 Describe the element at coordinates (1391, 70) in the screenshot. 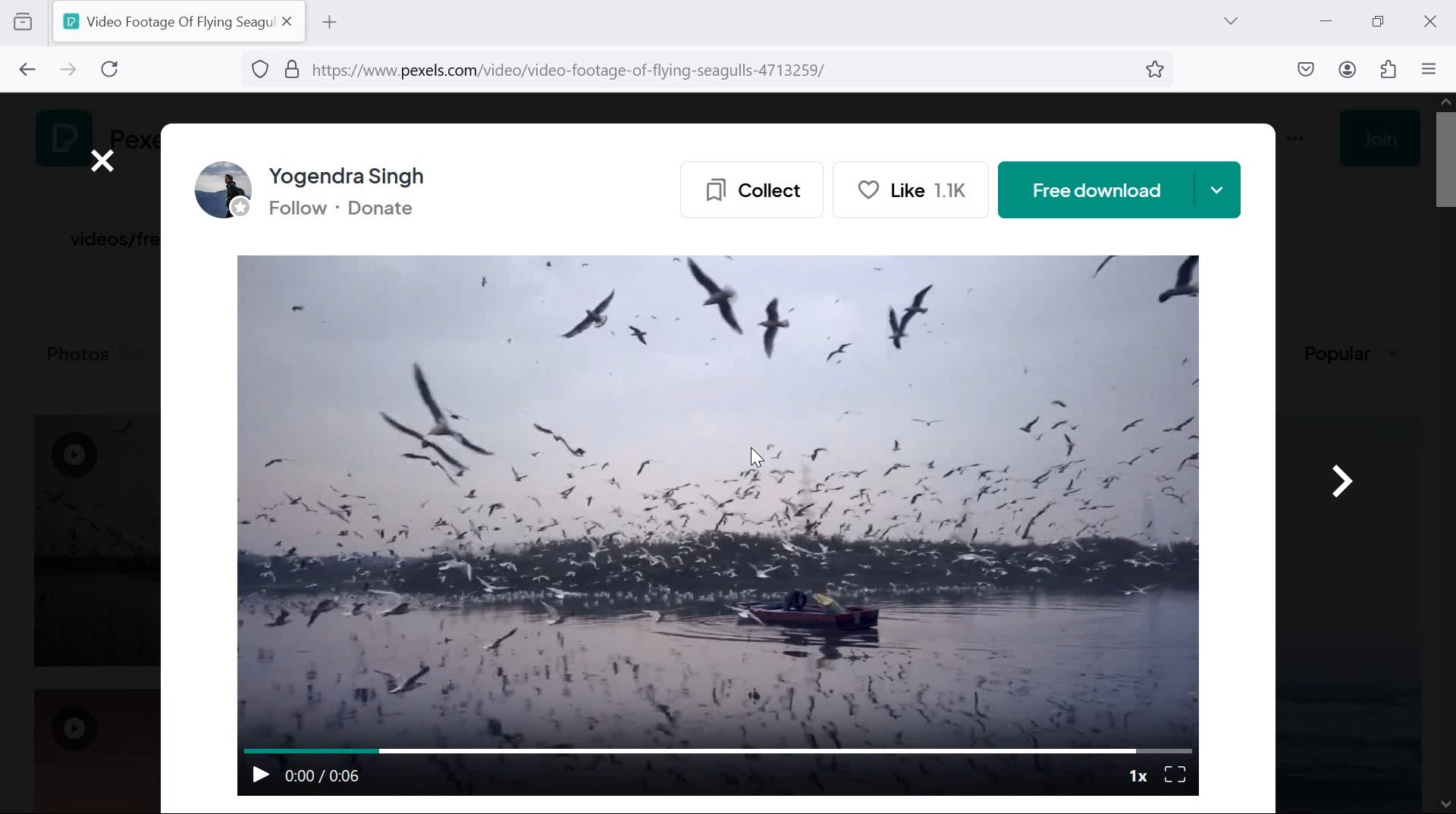

I see `extensions` at that location.